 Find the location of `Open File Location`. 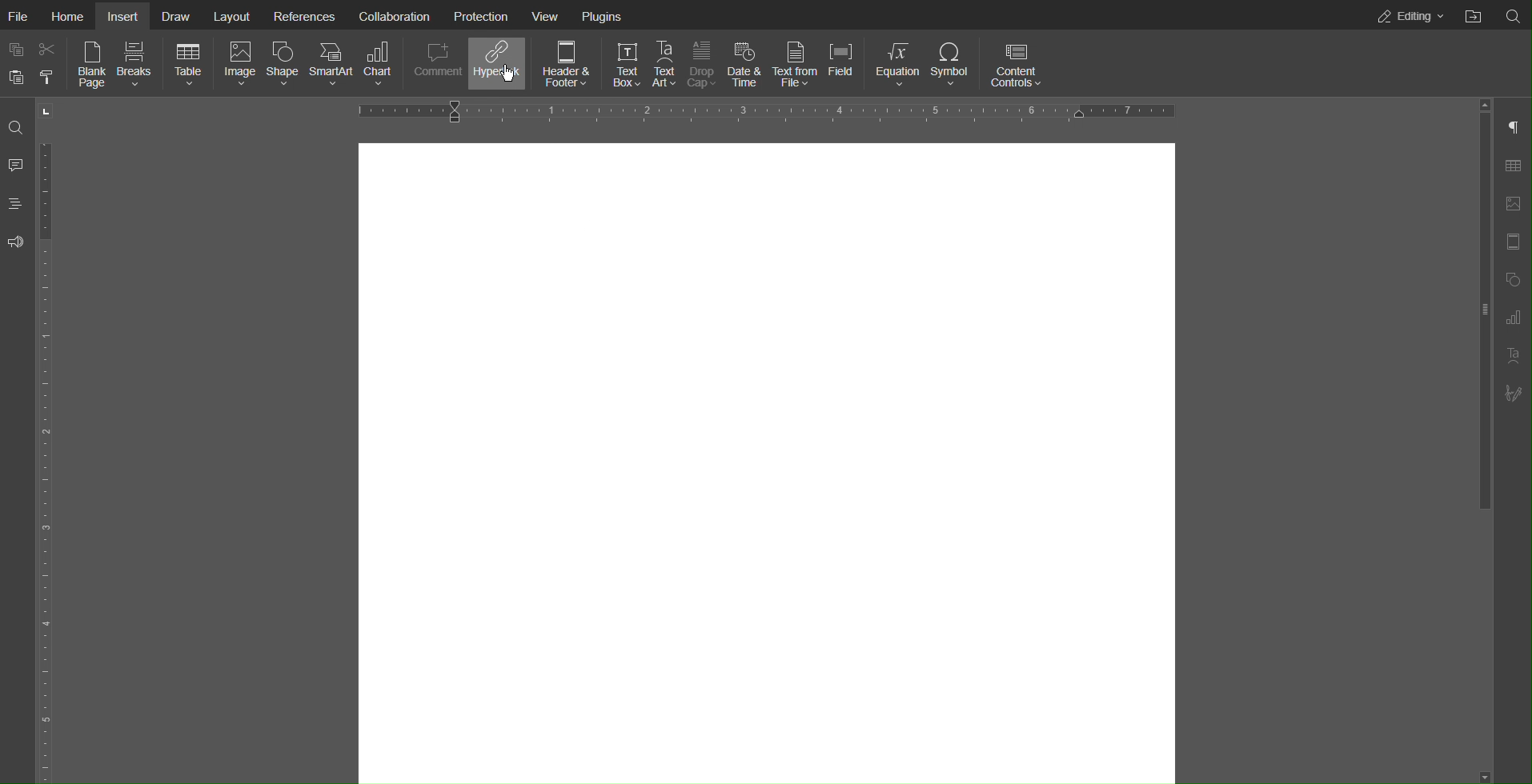

Open File Location is located at coordinates (1474, 15).